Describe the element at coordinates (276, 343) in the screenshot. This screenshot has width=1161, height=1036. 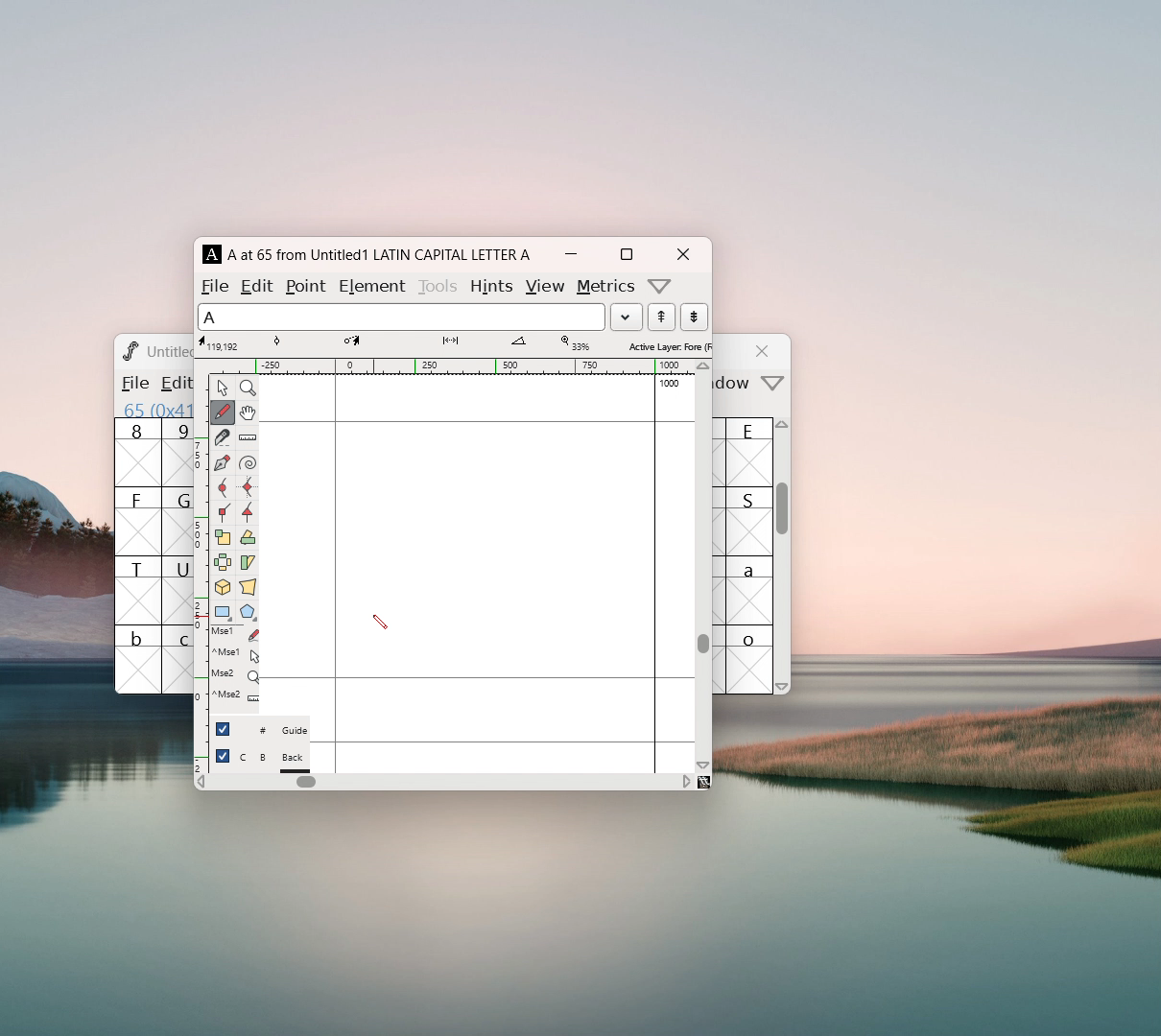
I see `tangent` at that location.